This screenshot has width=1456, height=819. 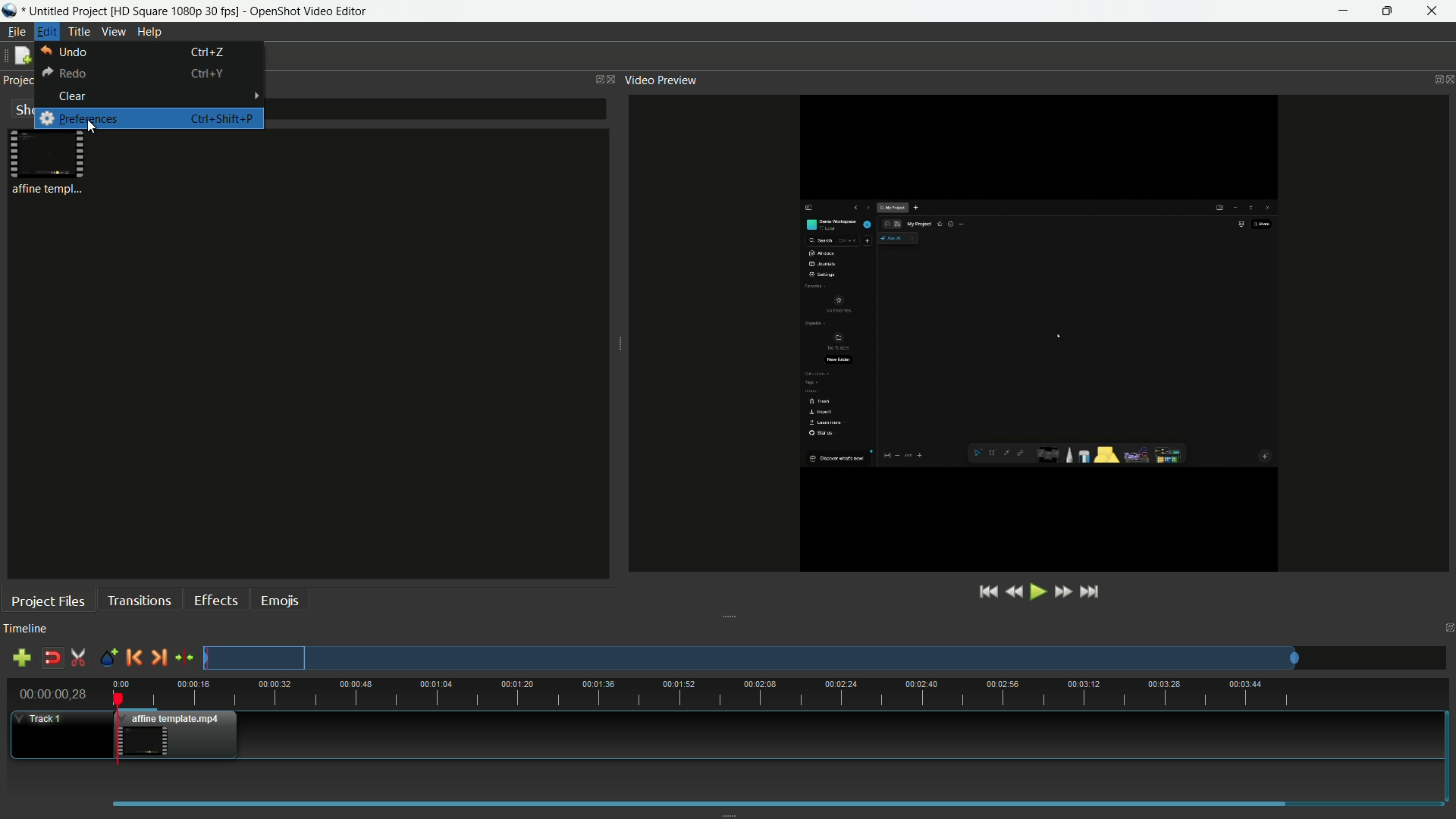 I want to click on close project files, so click(x=608, y=80).